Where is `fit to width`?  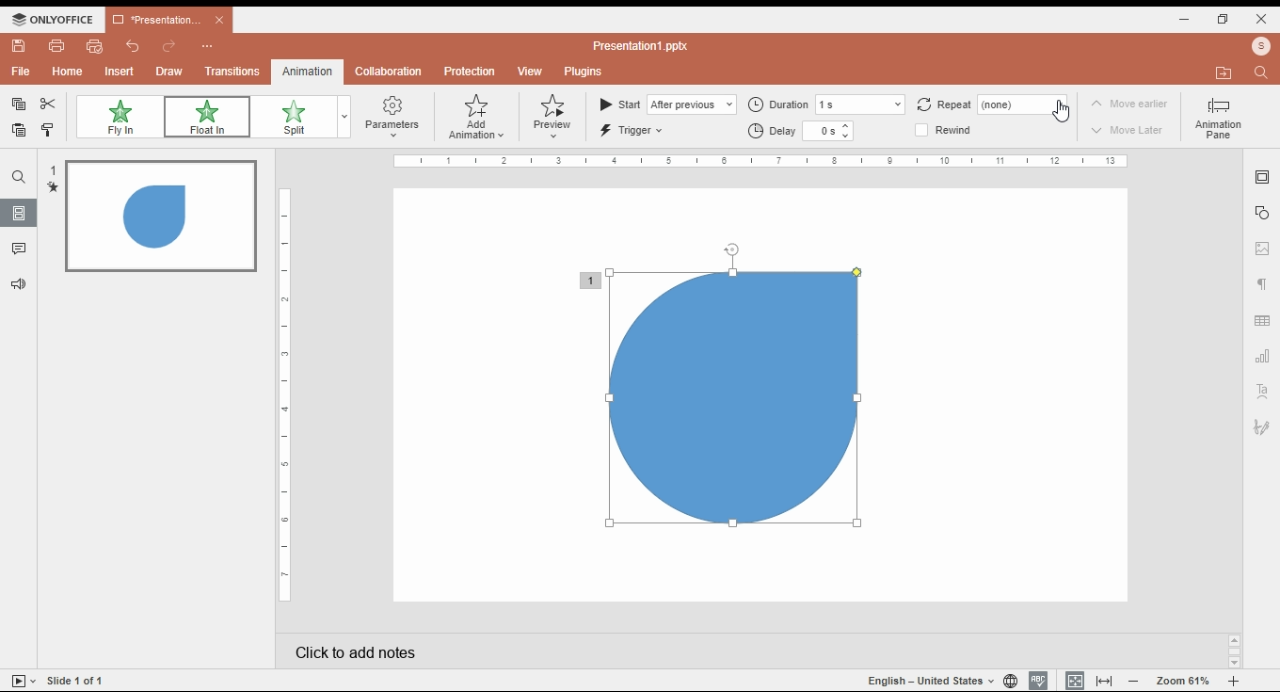
fit to width is located at coordinates (1105, 681).